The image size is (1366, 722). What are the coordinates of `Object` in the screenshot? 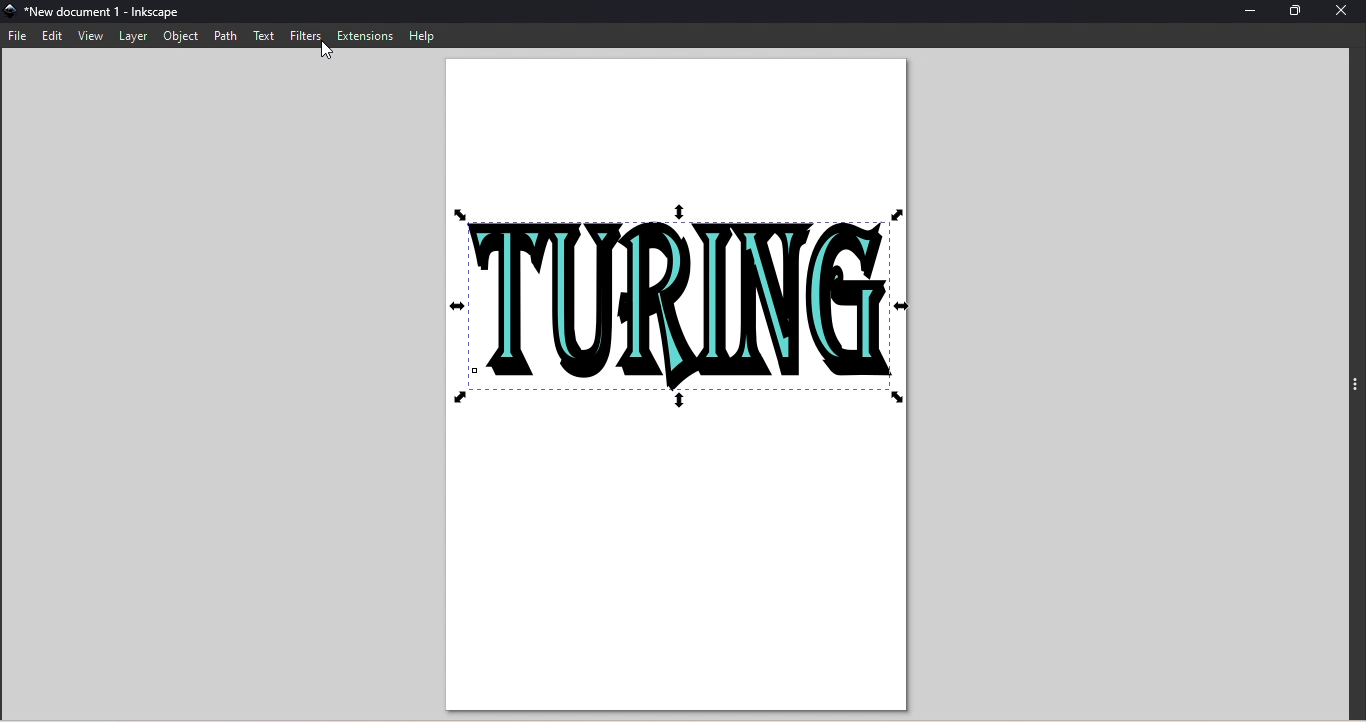 It's located at (181, 36).